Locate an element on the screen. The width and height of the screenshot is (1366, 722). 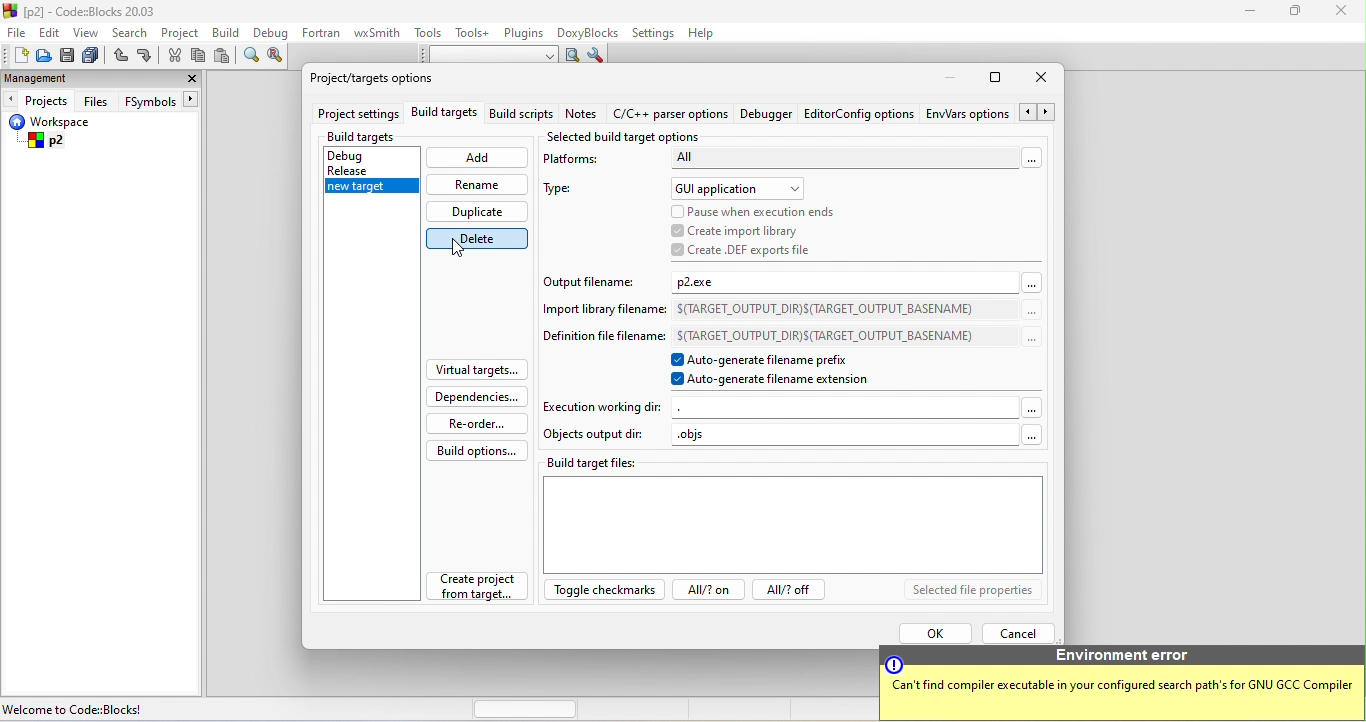
build targets is located at coordinates (379, 137).